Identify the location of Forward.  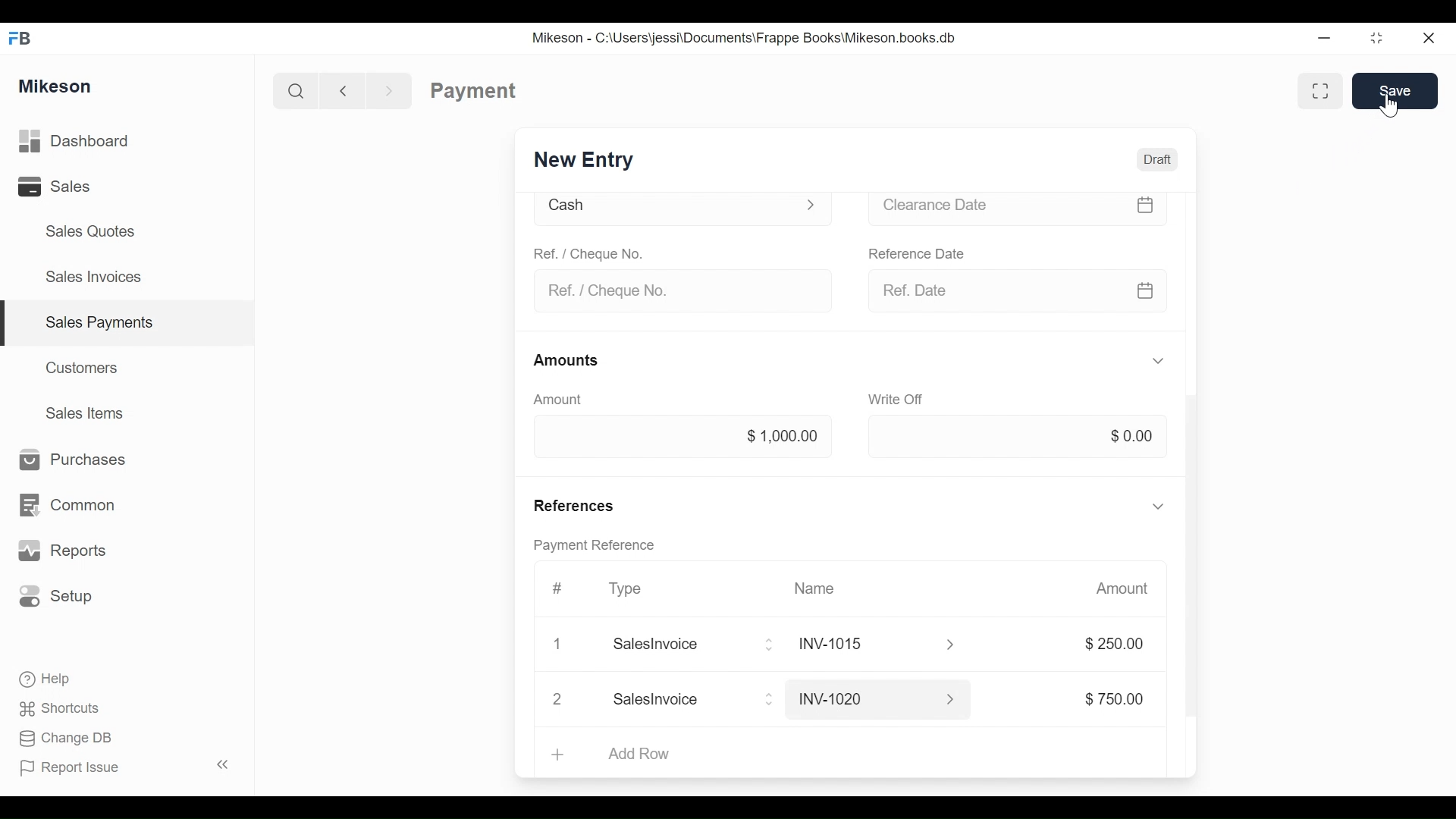
(394, 89).